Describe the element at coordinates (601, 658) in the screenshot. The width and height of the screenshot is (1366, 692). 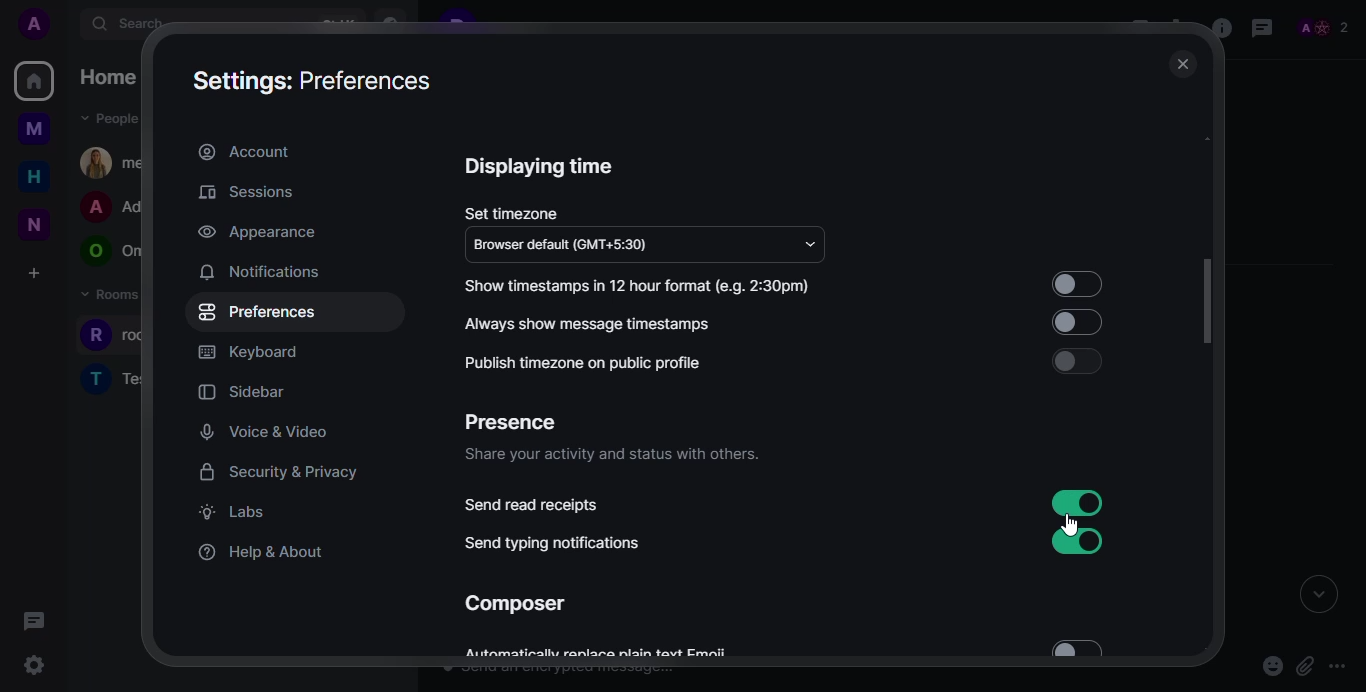
I see `Automatically replace plain text email.` at that location.